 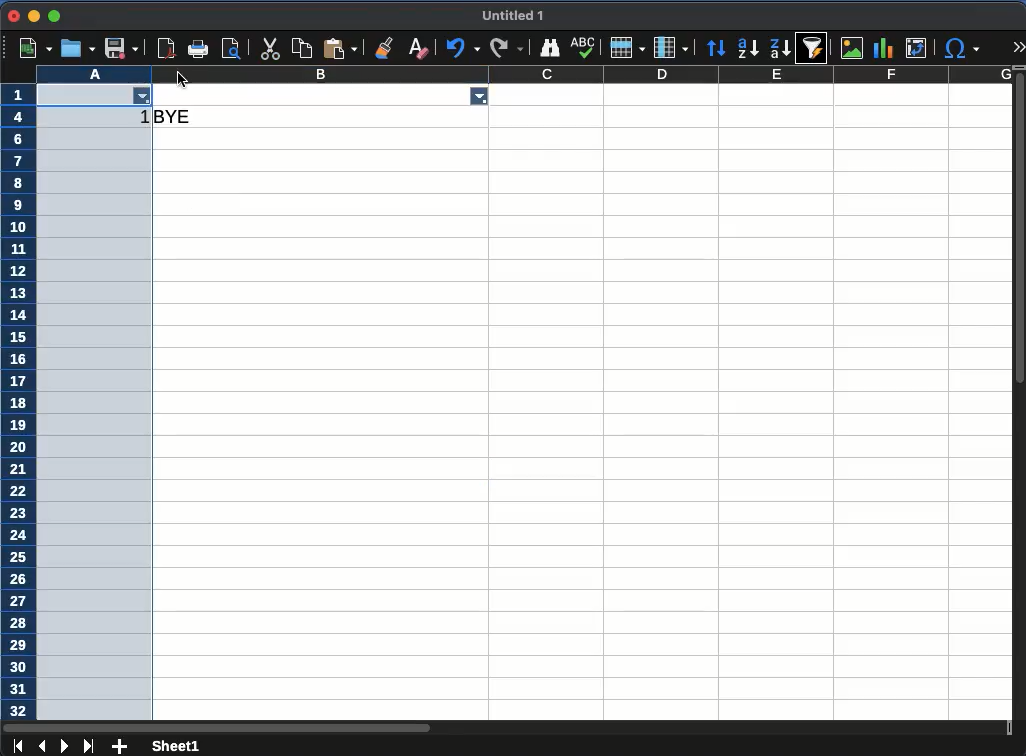 I want to click on bye, so click(x=177, y=116).